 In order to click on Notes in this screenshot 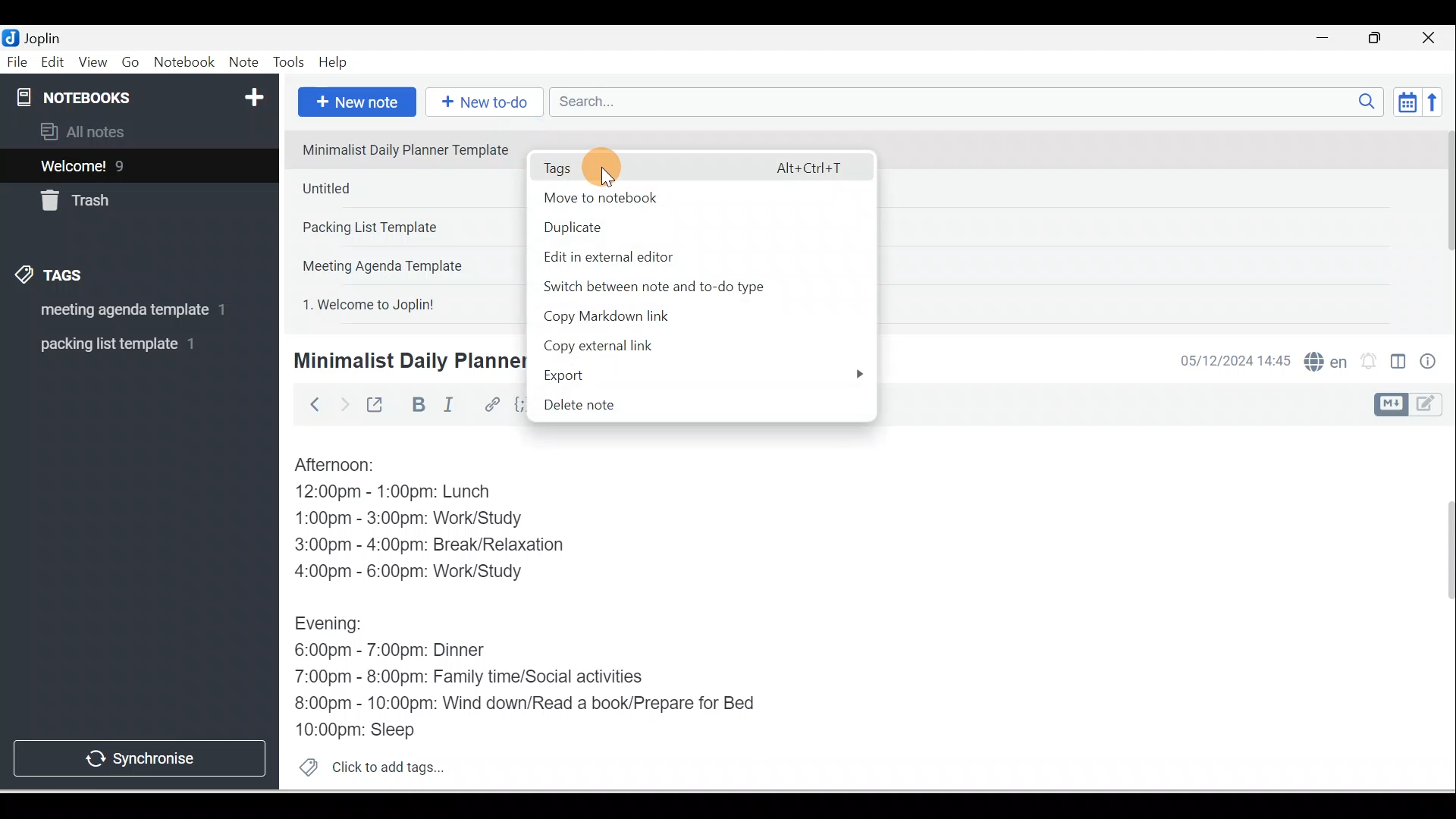, I will do `click(128, 162)`.